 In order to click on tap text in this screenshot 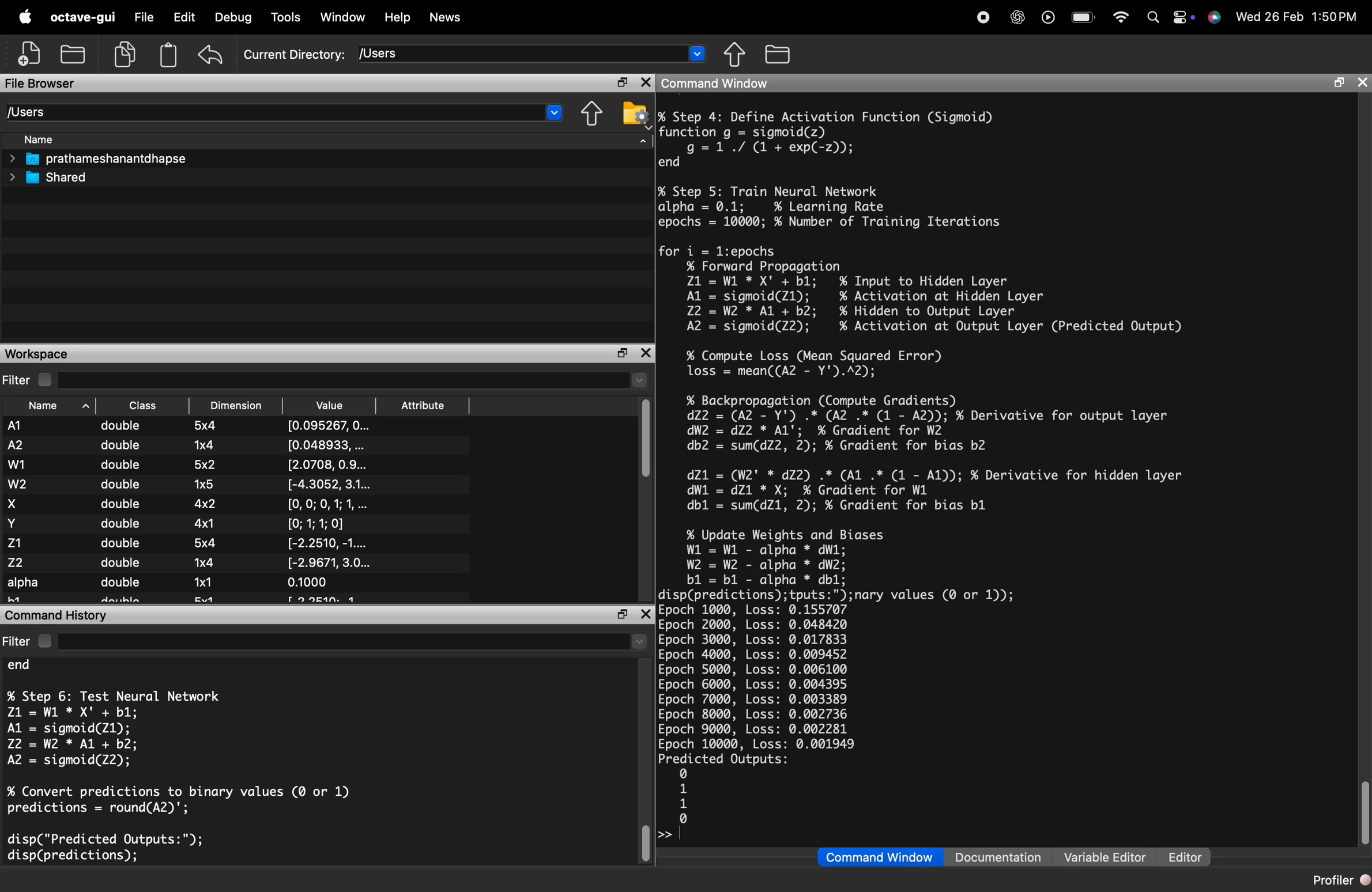, I will do `click(684, 836)`.